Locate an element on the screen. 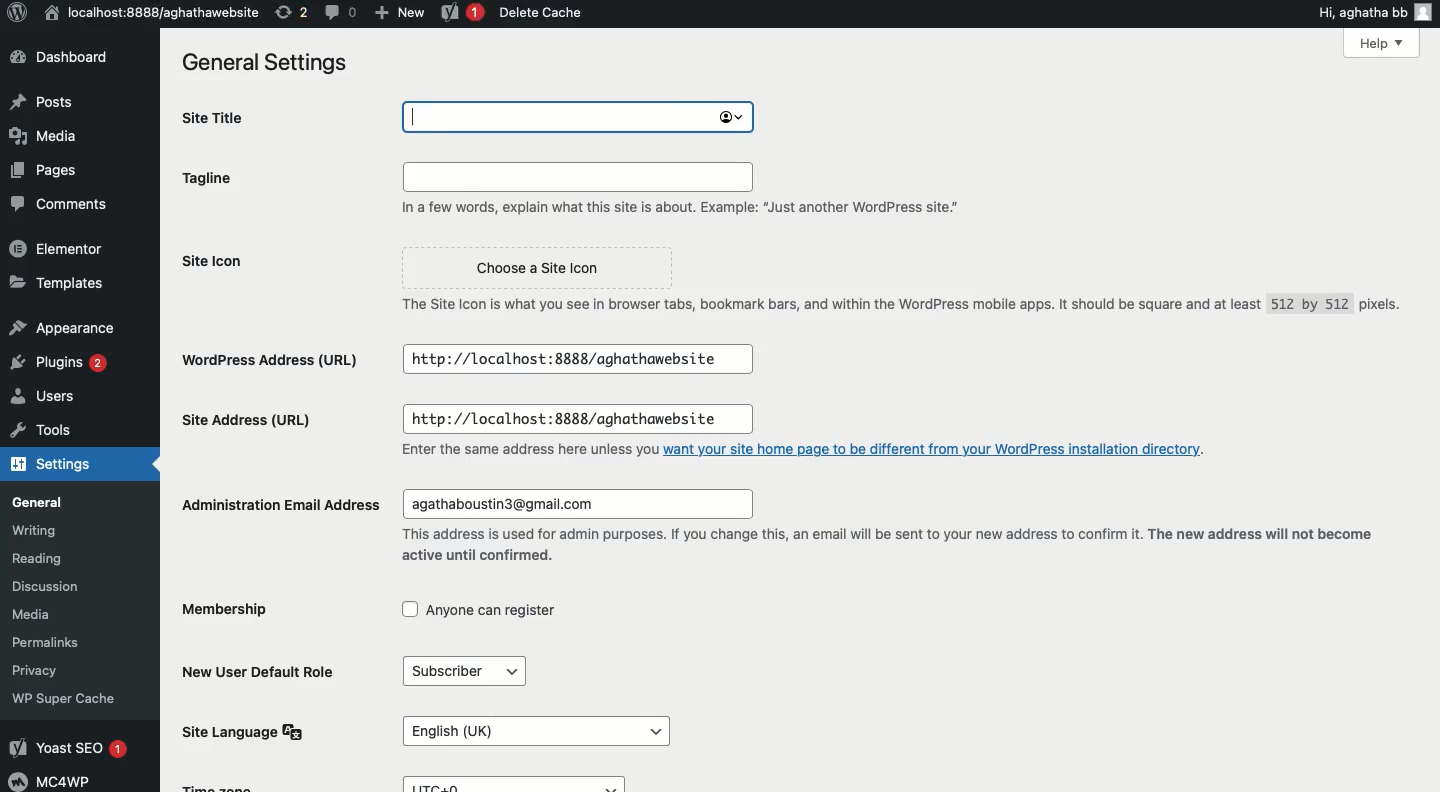  Yoast is located at coordinates (464, 12).